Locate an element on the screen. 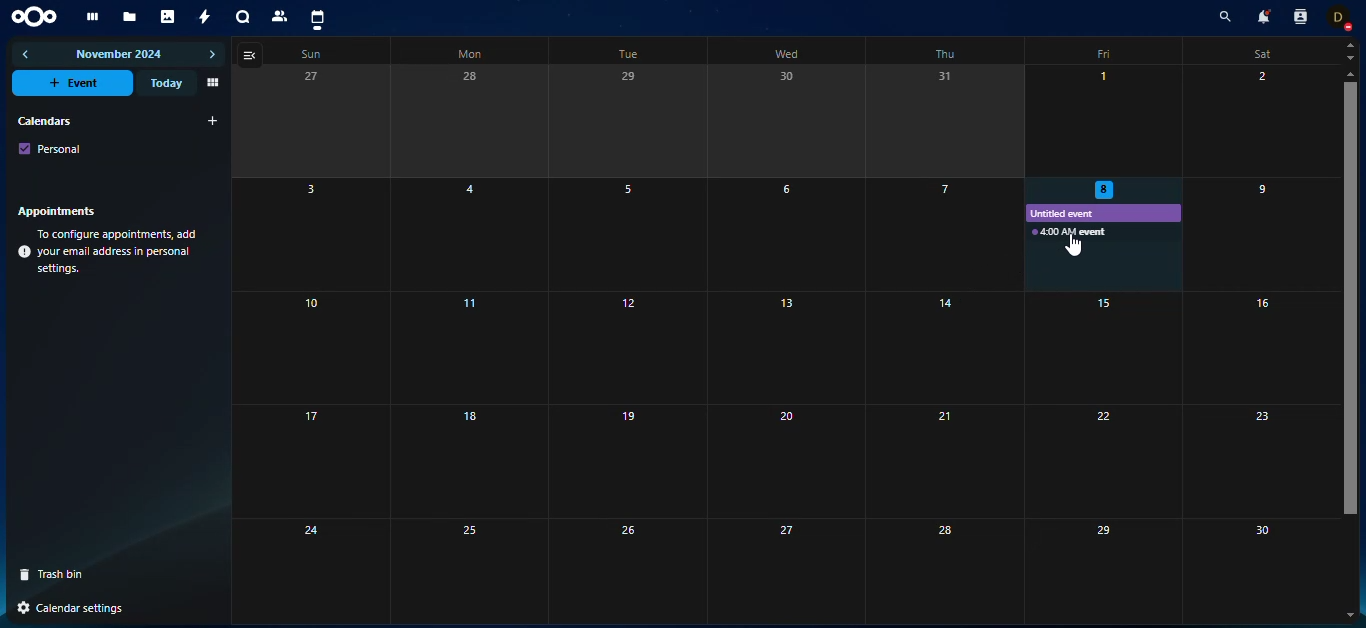  scroll bar is located at coordinates (1350, 260).